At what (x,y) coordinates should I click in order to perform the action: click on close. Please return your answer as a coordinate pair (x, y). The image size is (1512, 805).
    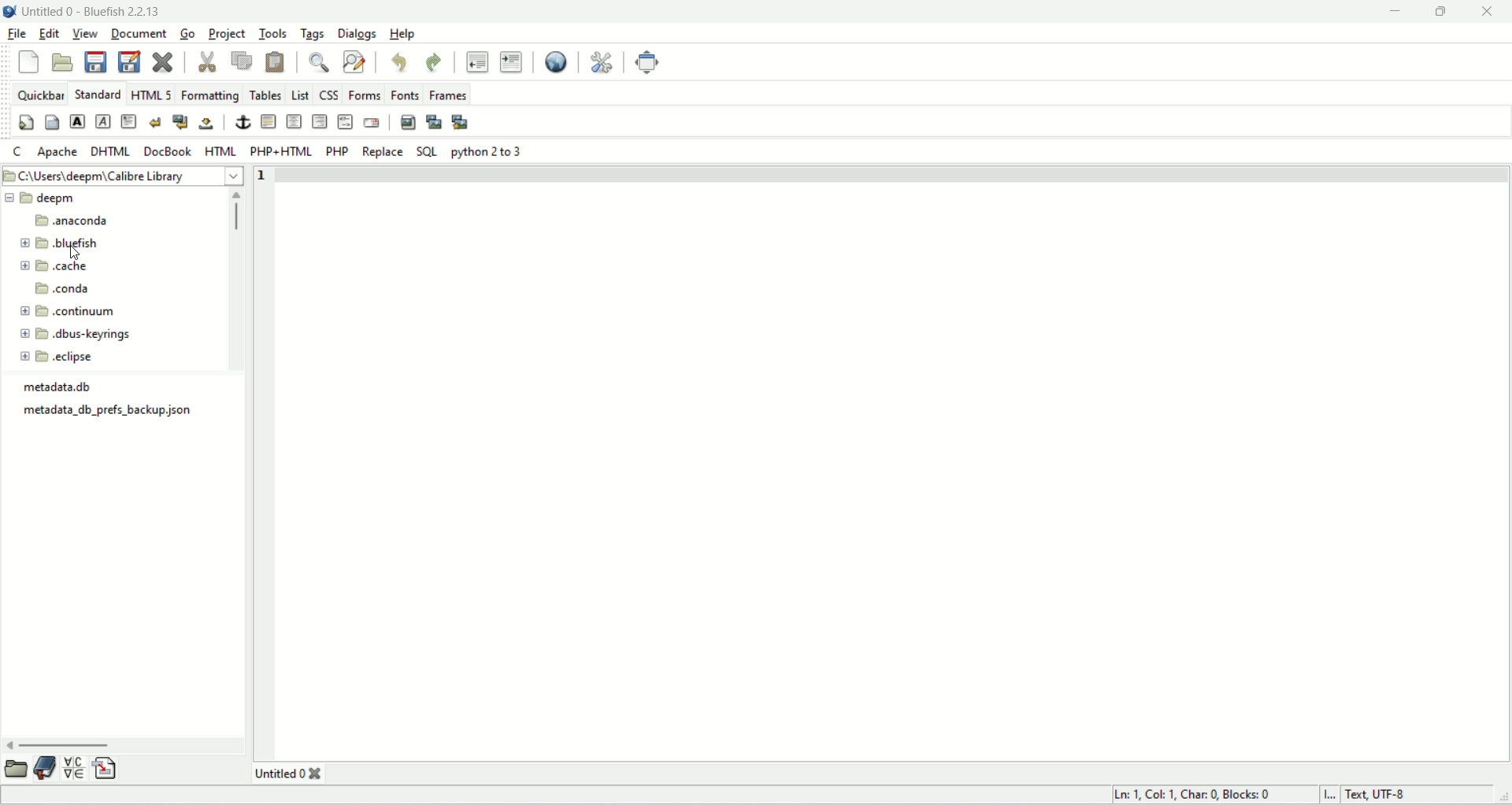
    Looking at the image, I should click on (27, 63).